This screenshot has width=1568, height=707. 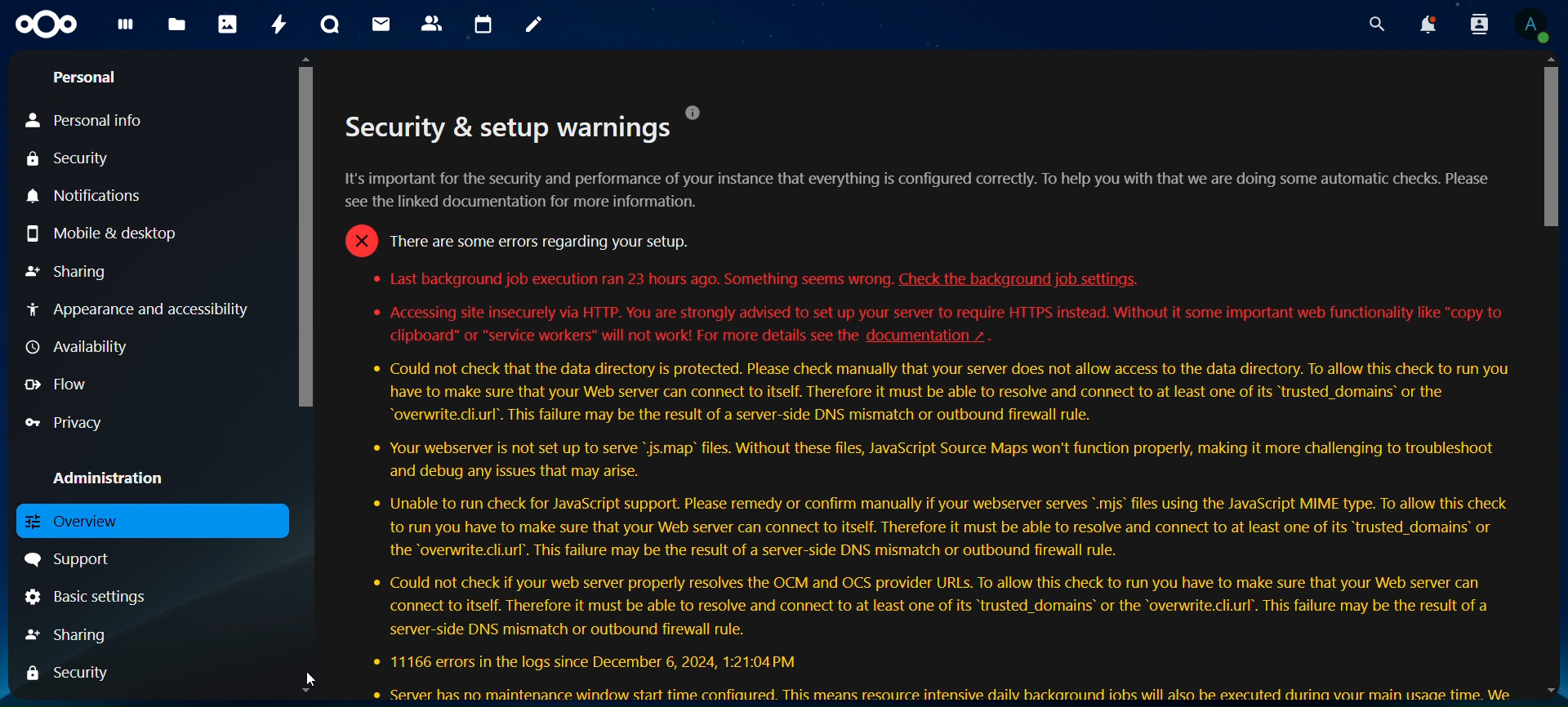 What do you see at coordinates (65, 422) in the screenshot?
I see `privacy` at bounding box center [65, 422].